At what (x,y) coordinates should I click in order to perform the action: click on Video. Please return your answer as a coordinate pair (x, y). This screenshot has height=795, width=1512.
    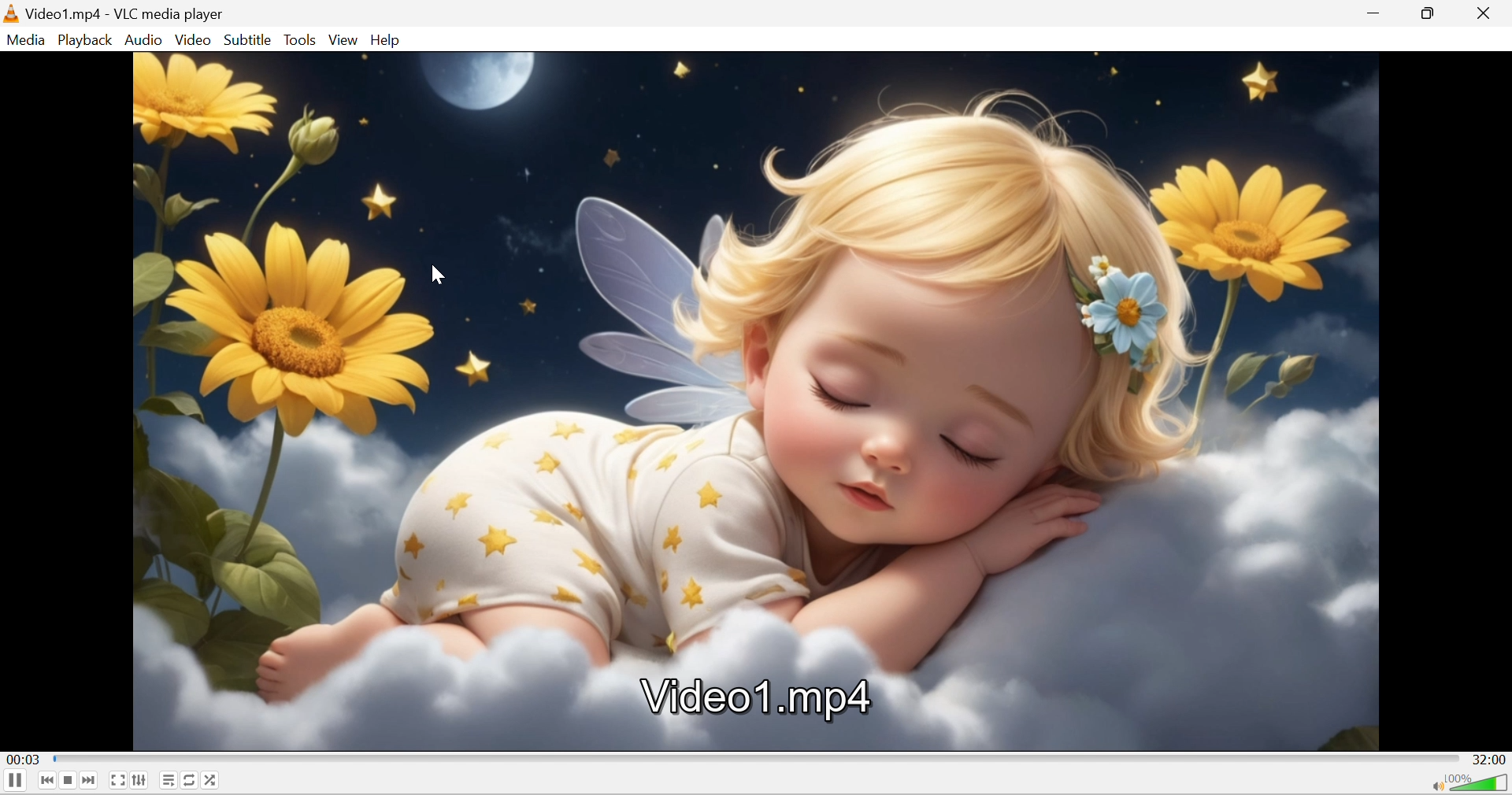
    Looking at the image, I should click on (194, 39).